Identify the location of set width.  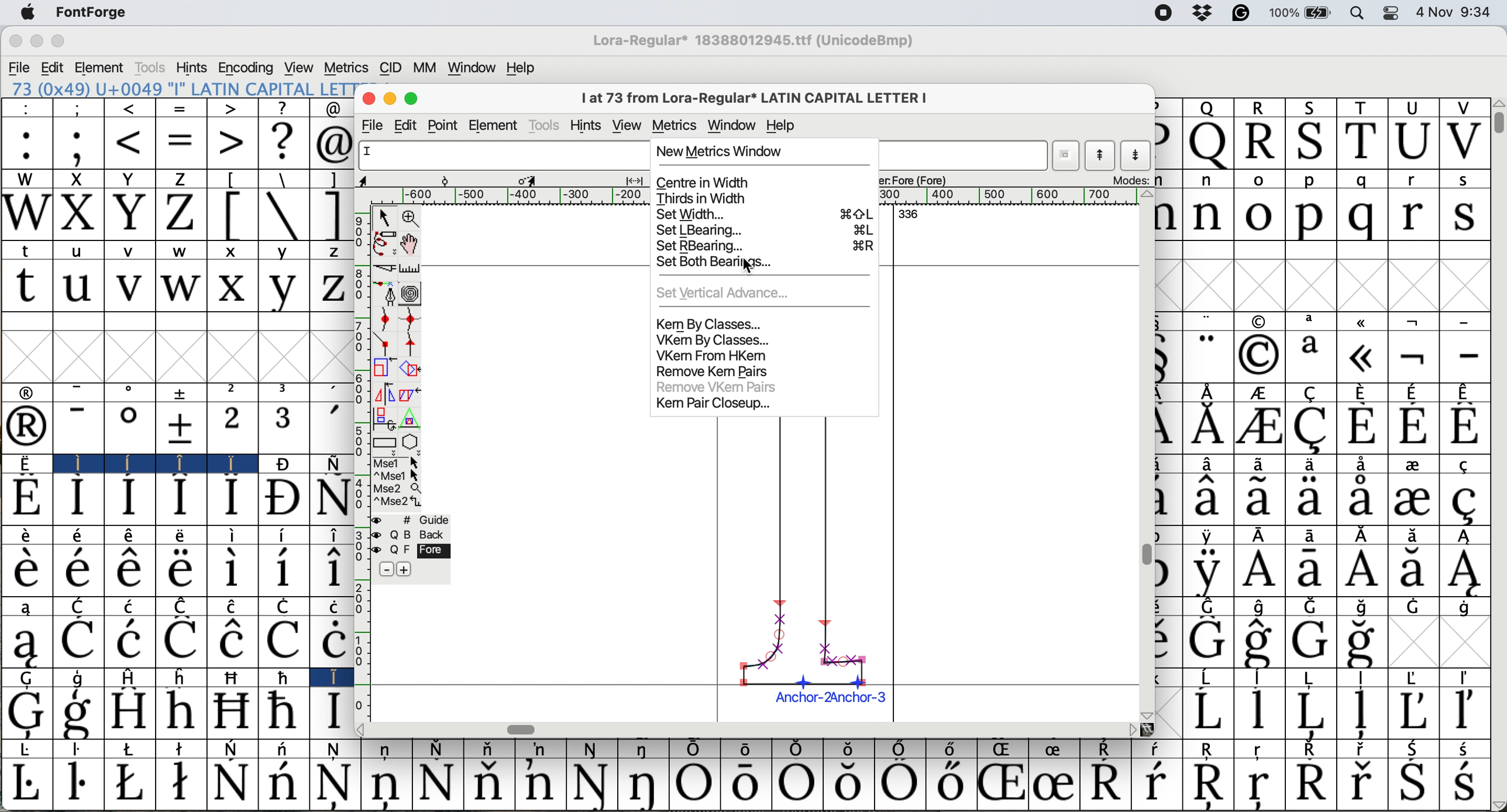
(763, 214).